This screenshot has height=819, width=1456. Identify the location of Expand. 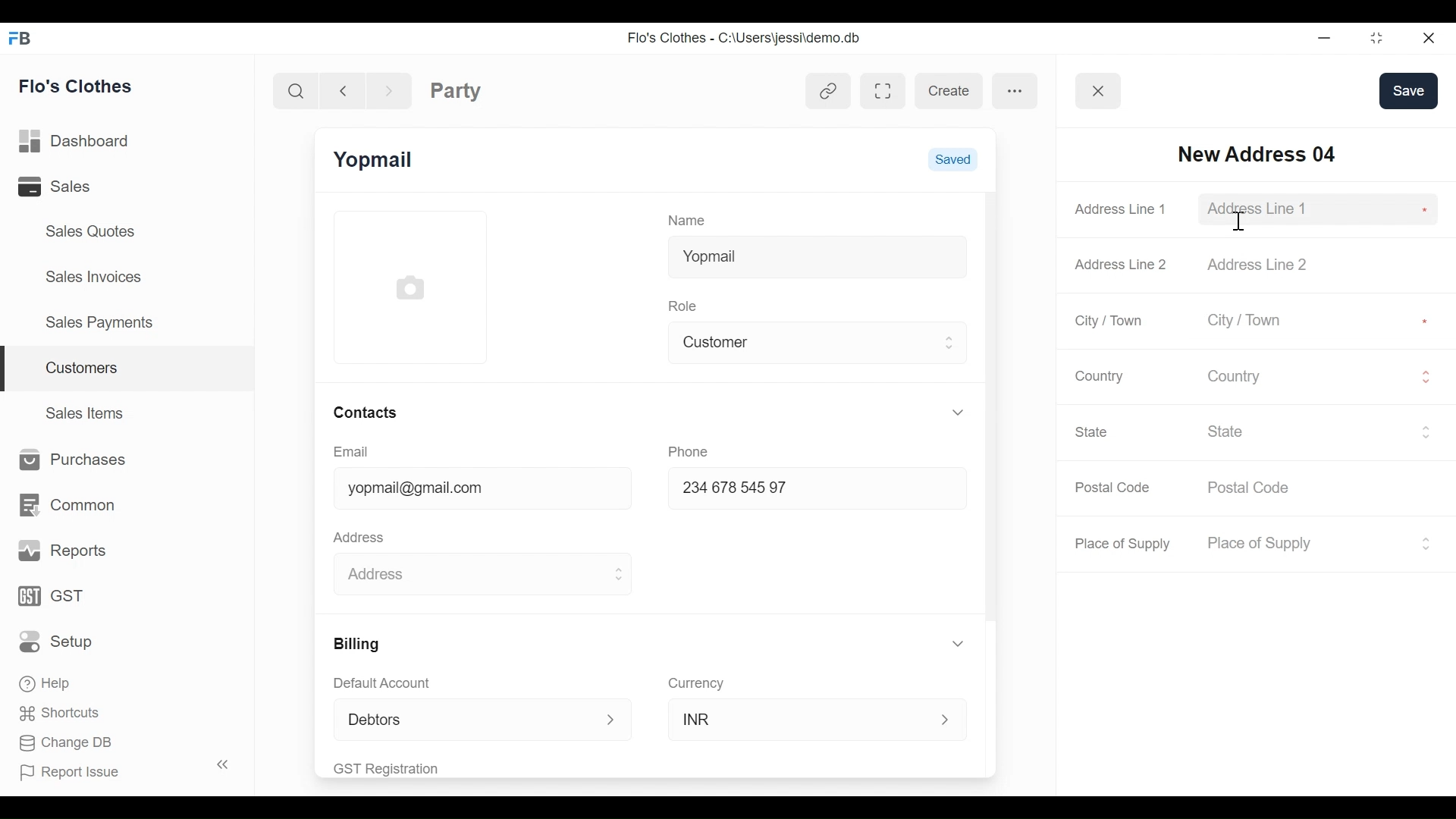
(1426, 377).